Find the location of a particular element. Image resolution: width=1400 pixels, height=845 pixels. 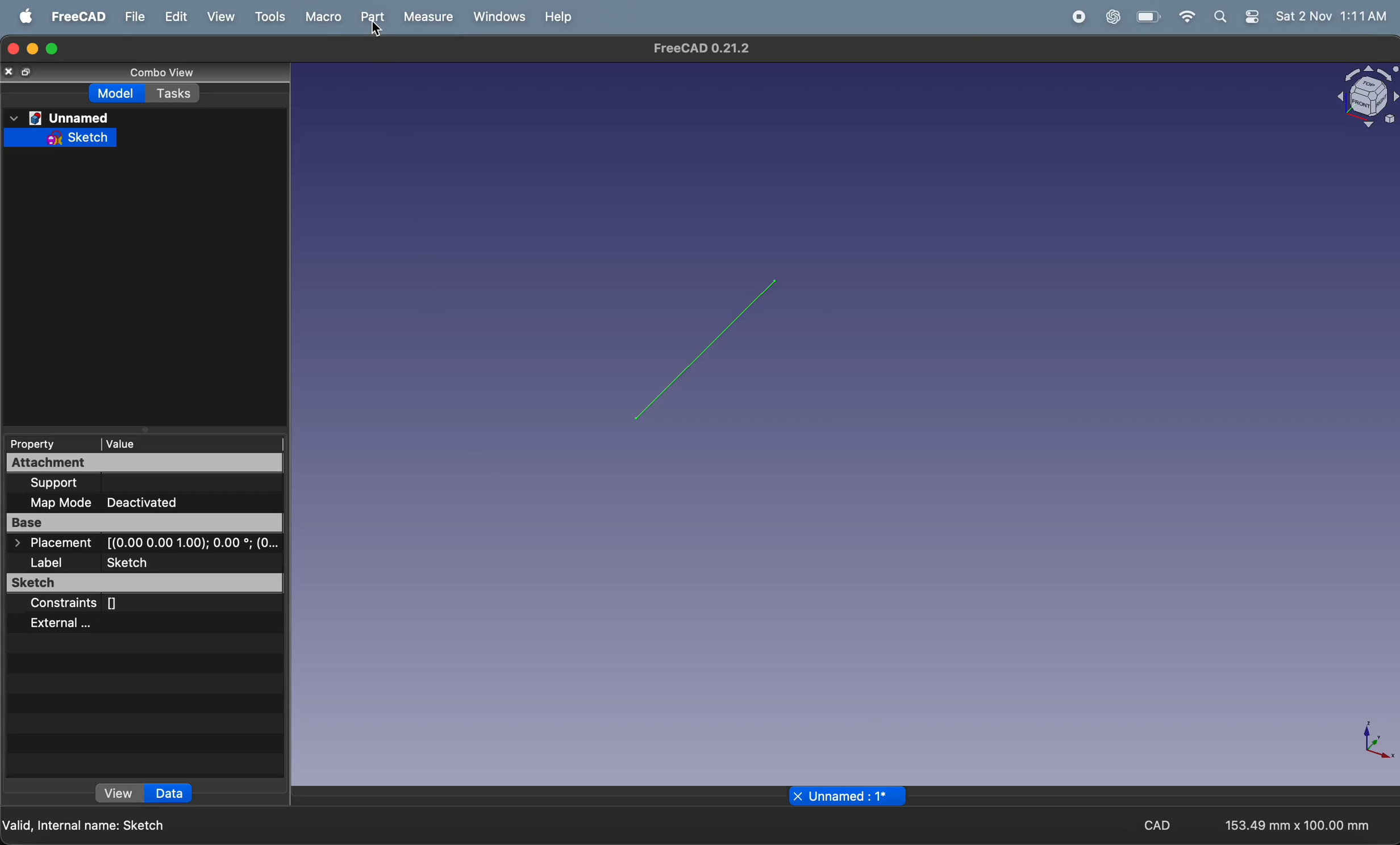

FreeCAD 0.21.2 is located at coordinates (707, 50).